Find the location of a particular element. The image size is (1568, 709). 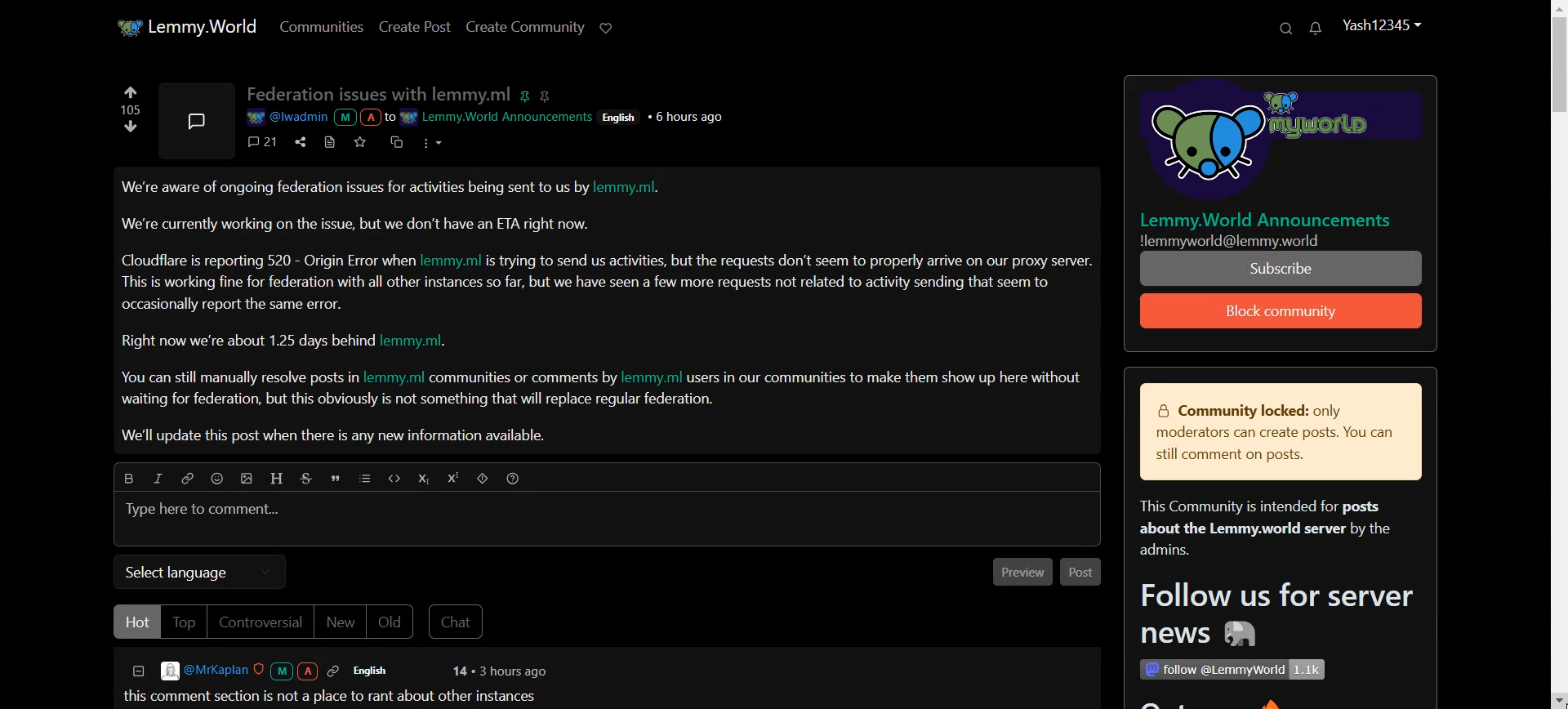

Upload picture is located at coordinates (246, 477).